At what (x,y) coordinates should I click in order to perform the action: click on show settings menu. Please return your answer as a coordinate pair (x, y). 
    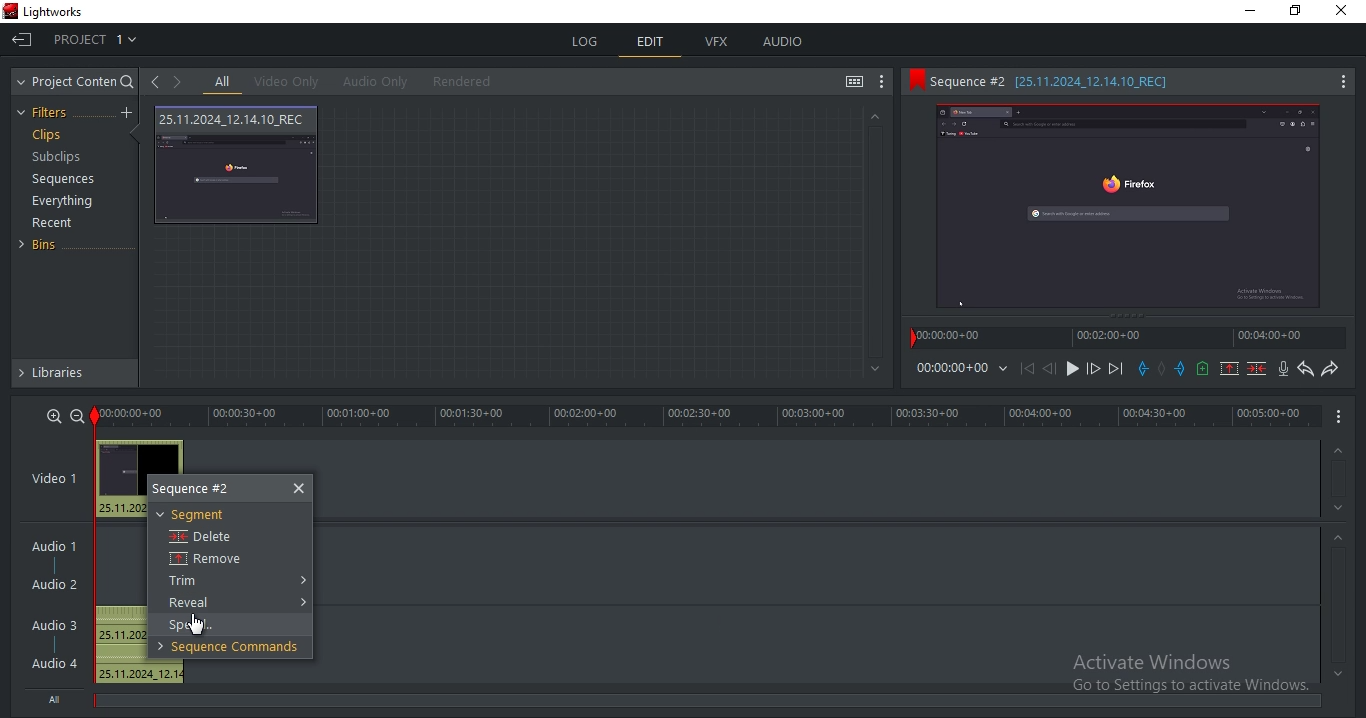
    Looking at the image, I should click on (884, 82).